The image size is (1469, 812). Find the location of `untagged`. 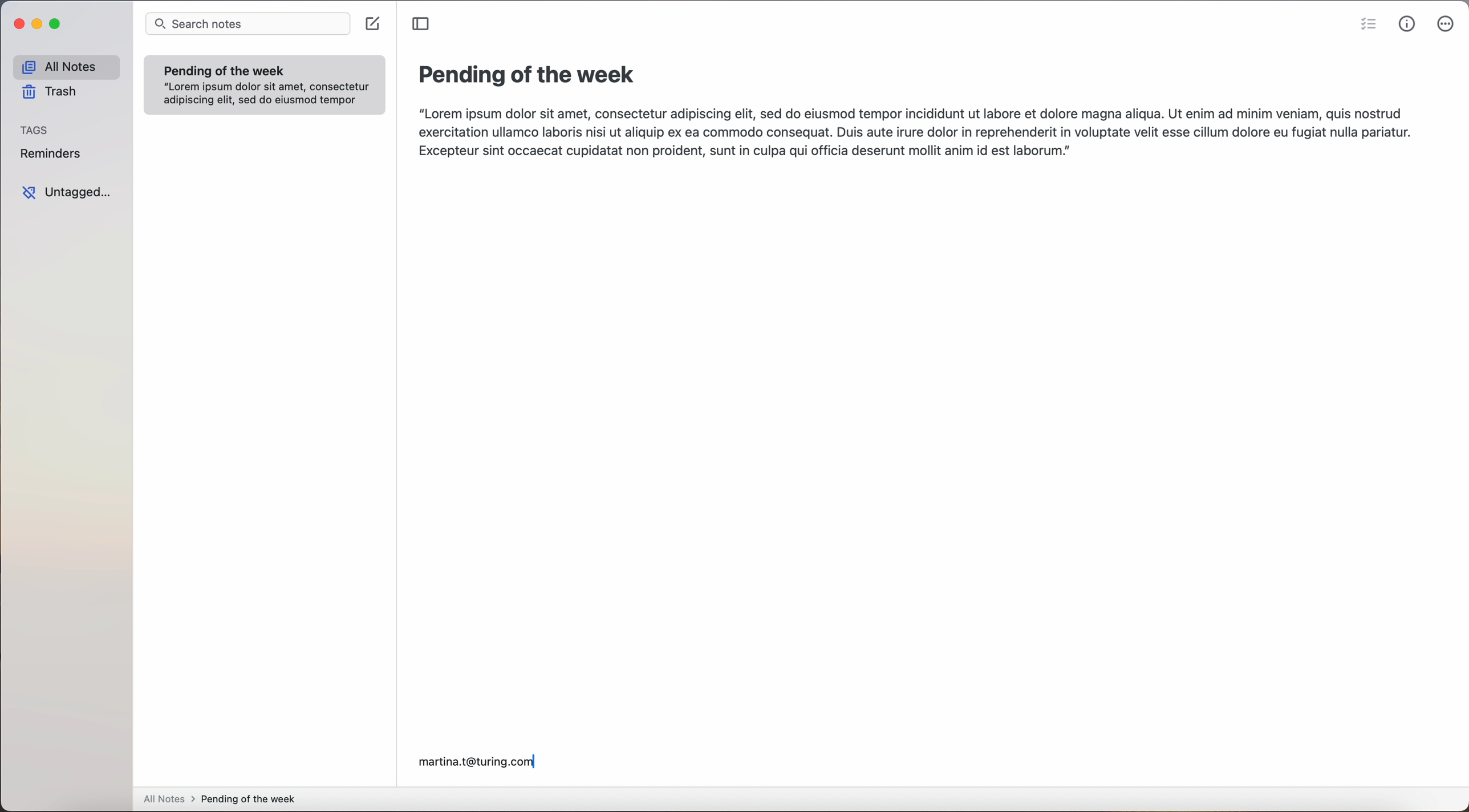

untagged is located at coordinates (69, 194).